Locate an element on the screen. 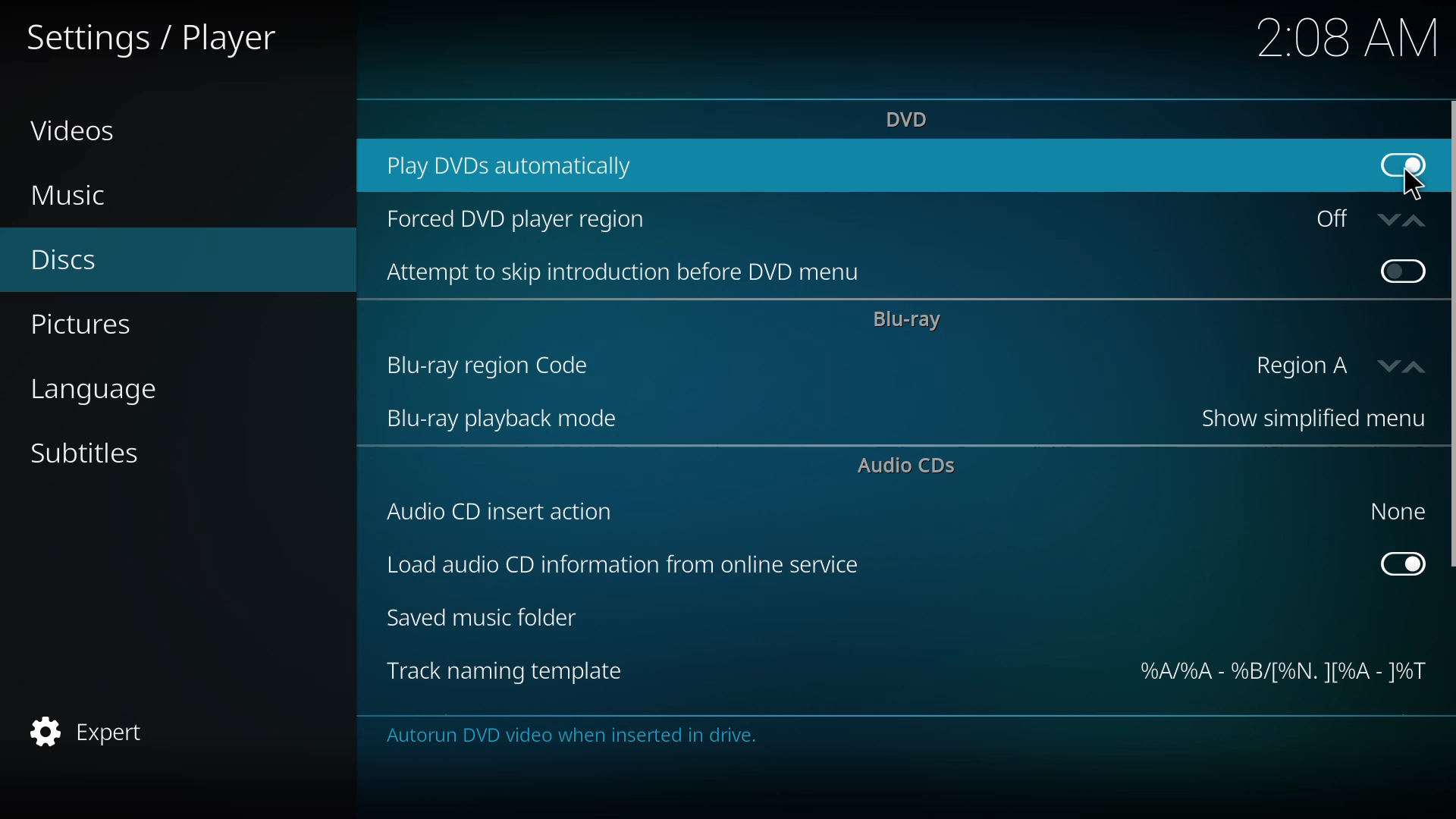  forced dvd player region is located at coordinates (519, 221).